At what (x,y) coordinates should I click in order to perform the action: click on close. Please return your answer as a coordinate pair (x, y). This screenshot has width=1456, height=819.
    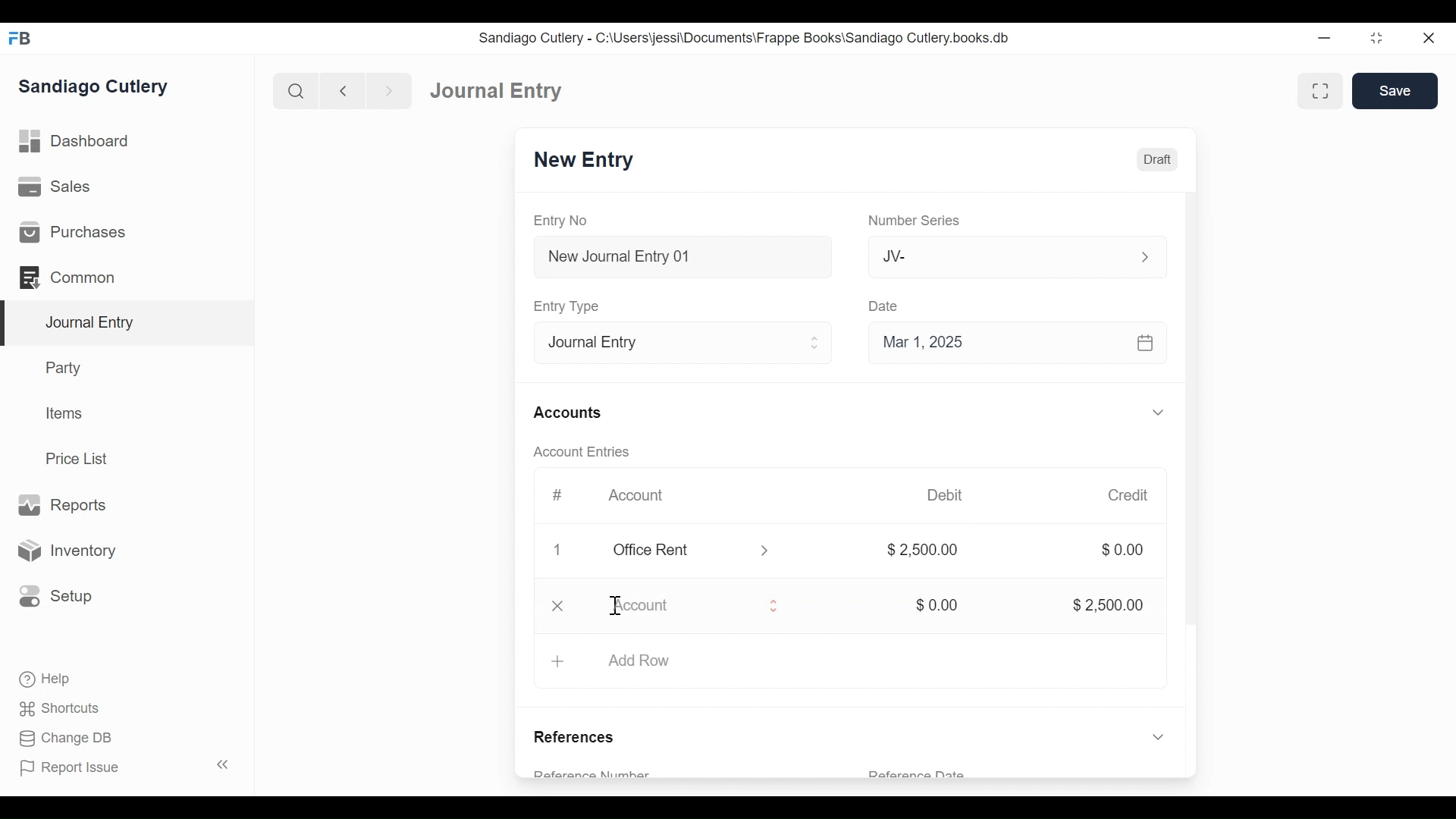
    Looking at the image, I should click on (1434, 36).